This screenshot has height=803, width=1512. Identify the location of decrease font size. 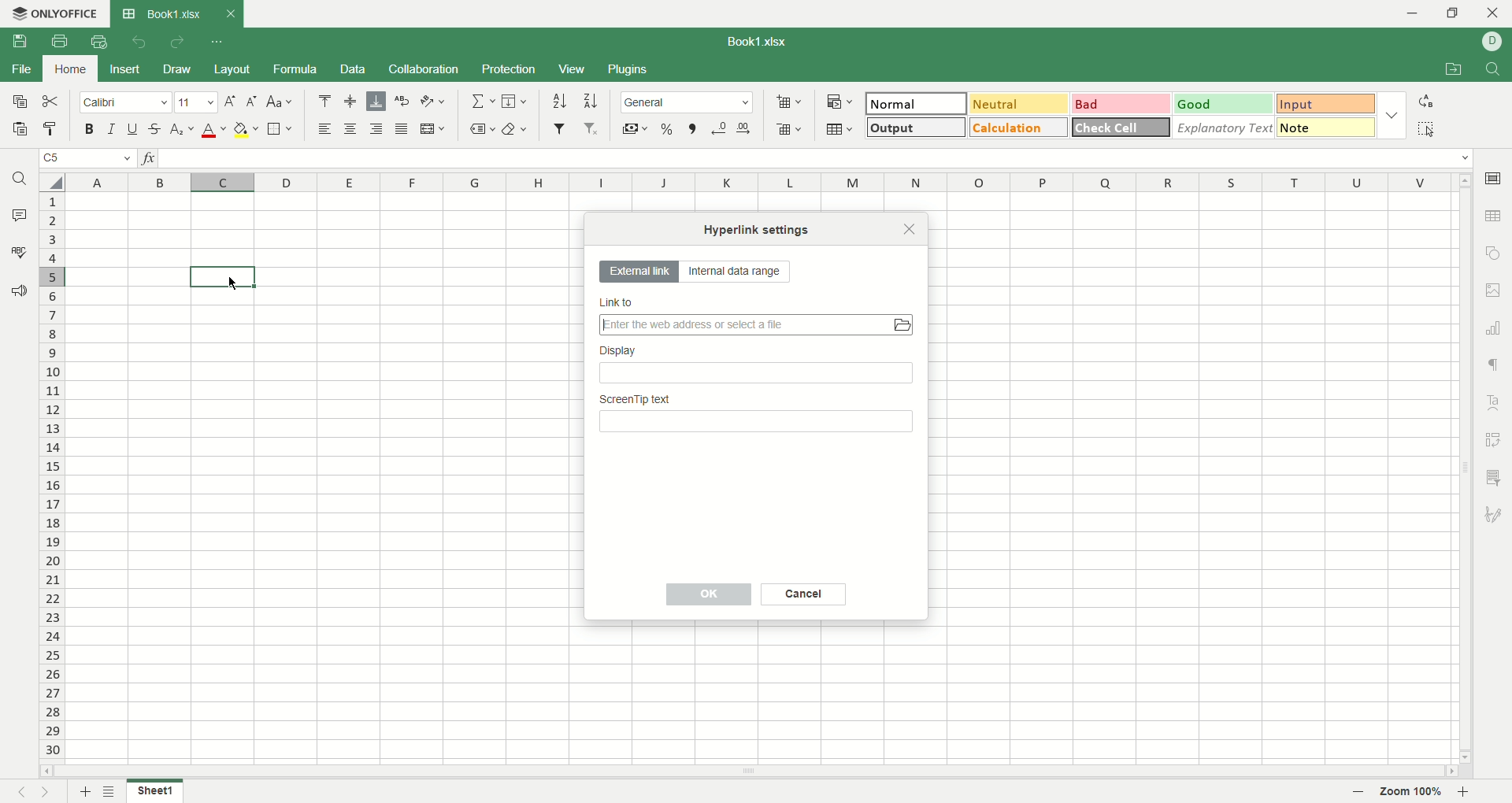
(252, 101).